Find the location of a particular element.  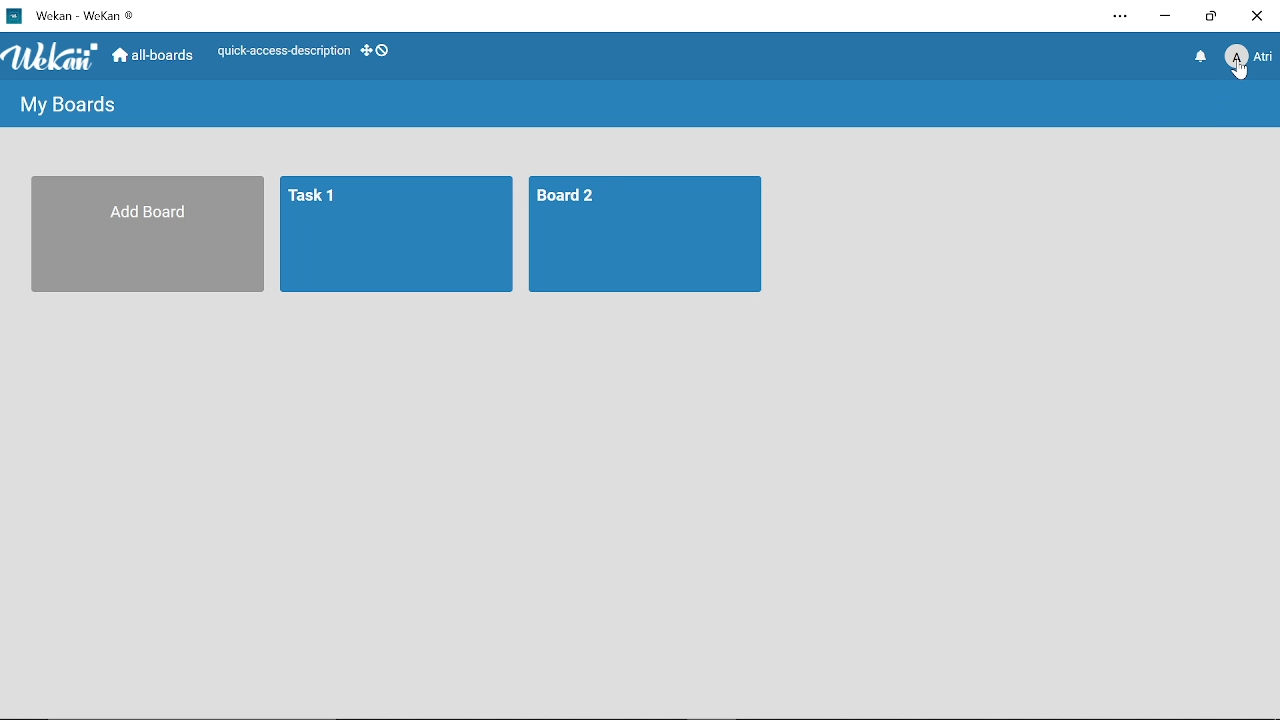

My boards is located at coordinates (71, 105).